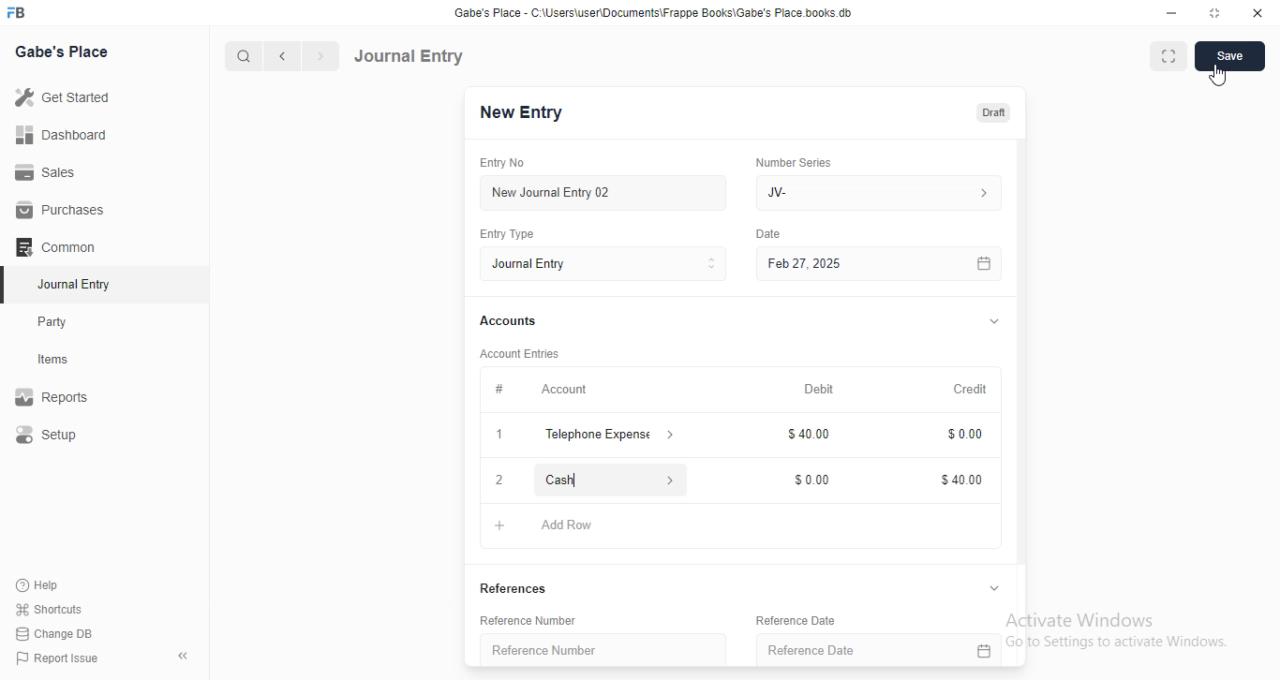 The image size is (1280, 680). What do you see at coordinates (519, 353) in the screenshot?
I see `Account entries` at bounding box center [519, 353].